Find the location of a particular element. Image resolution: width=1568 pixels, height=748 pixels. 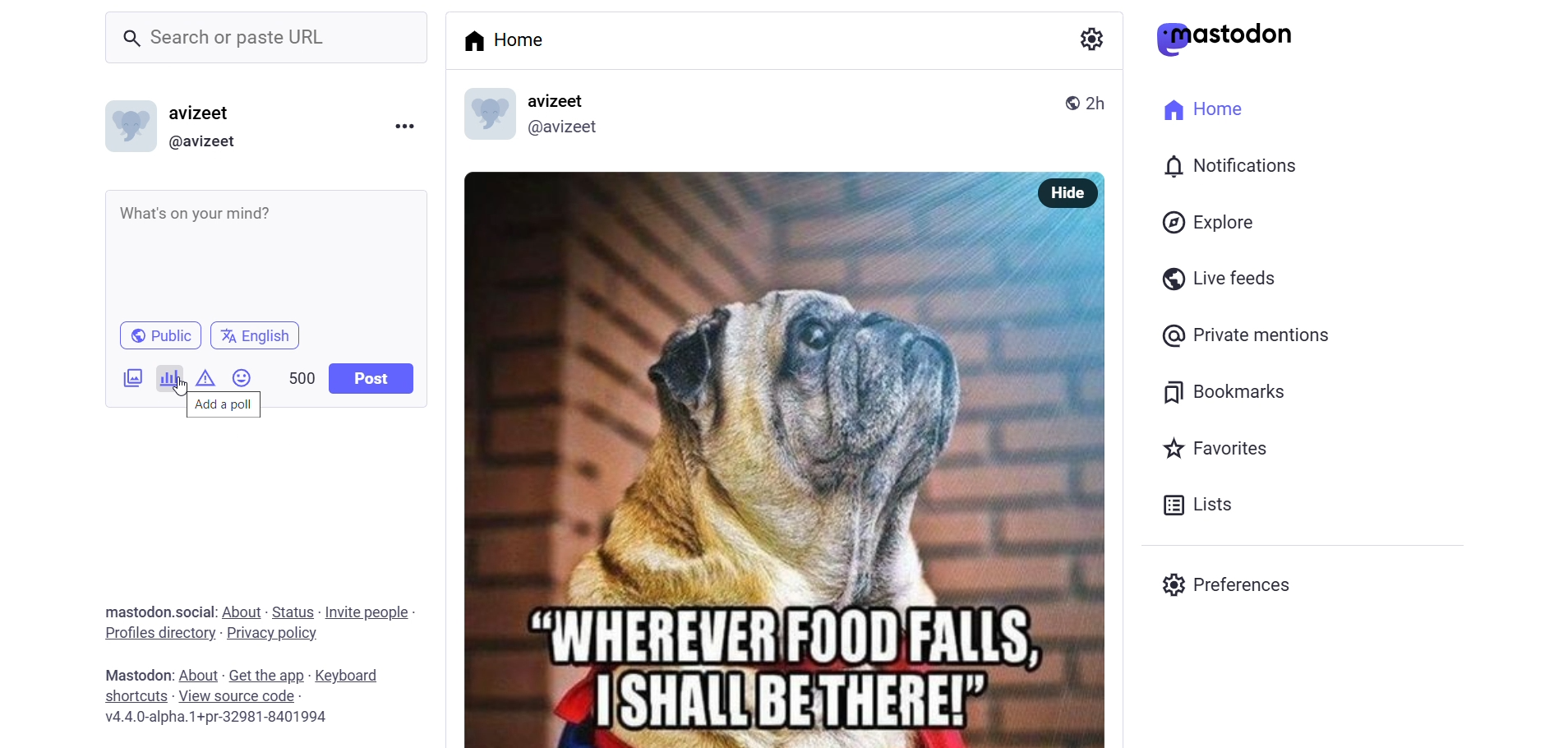

home is located at coordinates (510, 39).